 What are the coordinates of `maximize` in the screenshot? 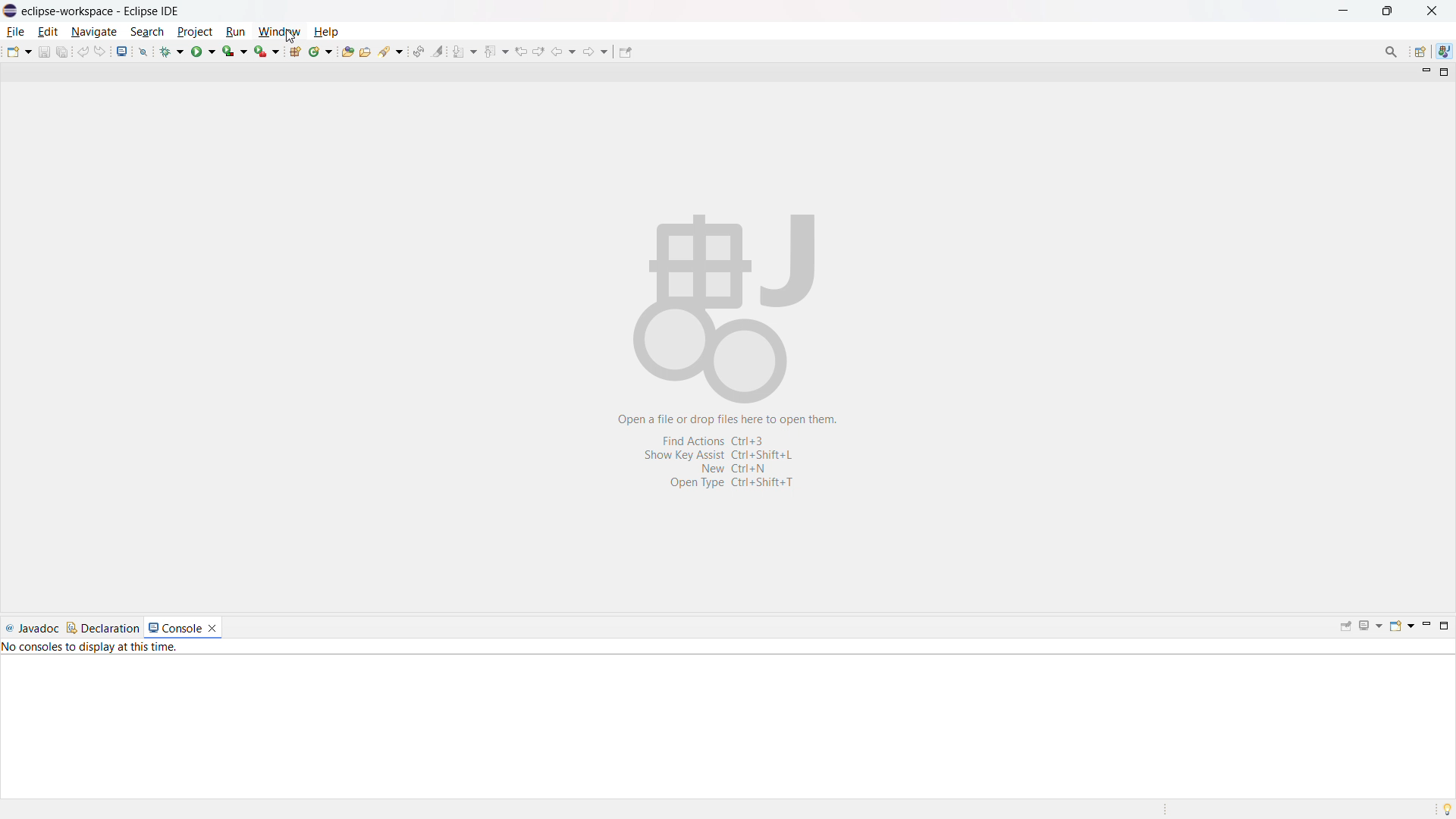 It's located at (1386, 11).